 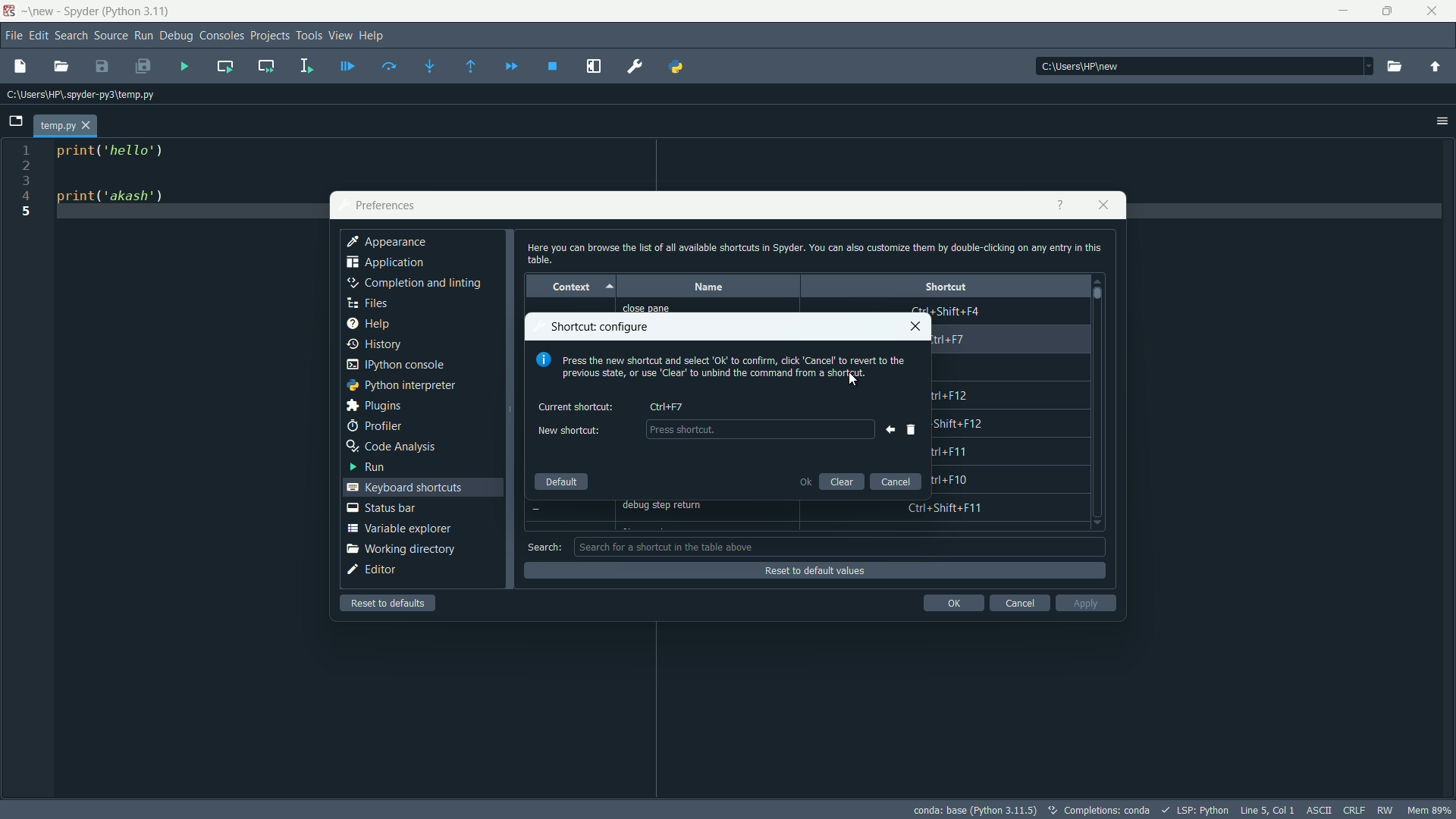 I want to click on run until next function, so click(x=472, y=67).